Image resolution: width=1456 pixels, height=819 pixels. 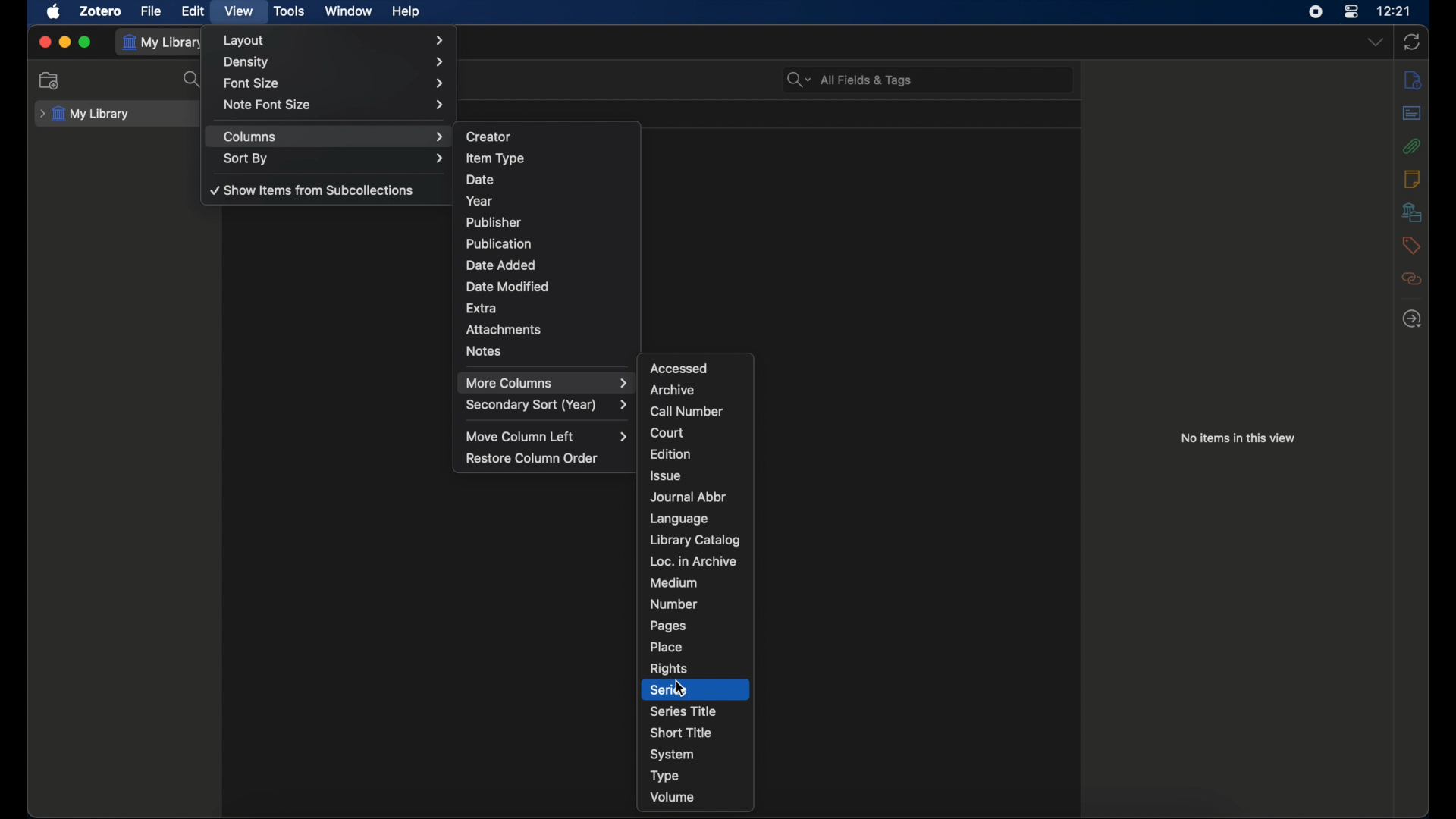 What do you see at coordinates (669, 626) in the screenshot?
I see `pages` at bounding box center [669, 626].